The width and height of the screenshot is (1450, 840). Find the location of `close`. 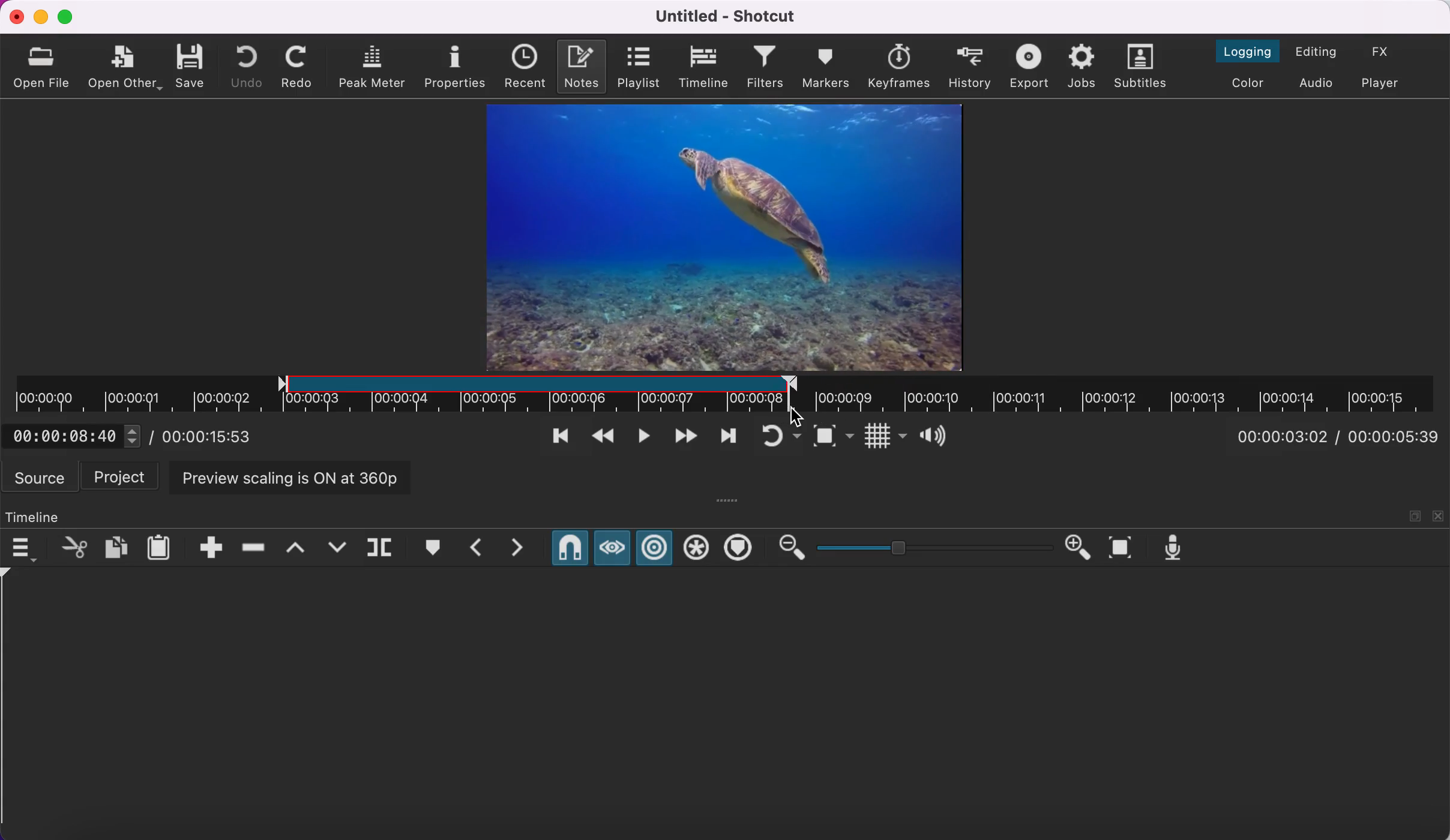

close is located at coordinates (1439, 515).